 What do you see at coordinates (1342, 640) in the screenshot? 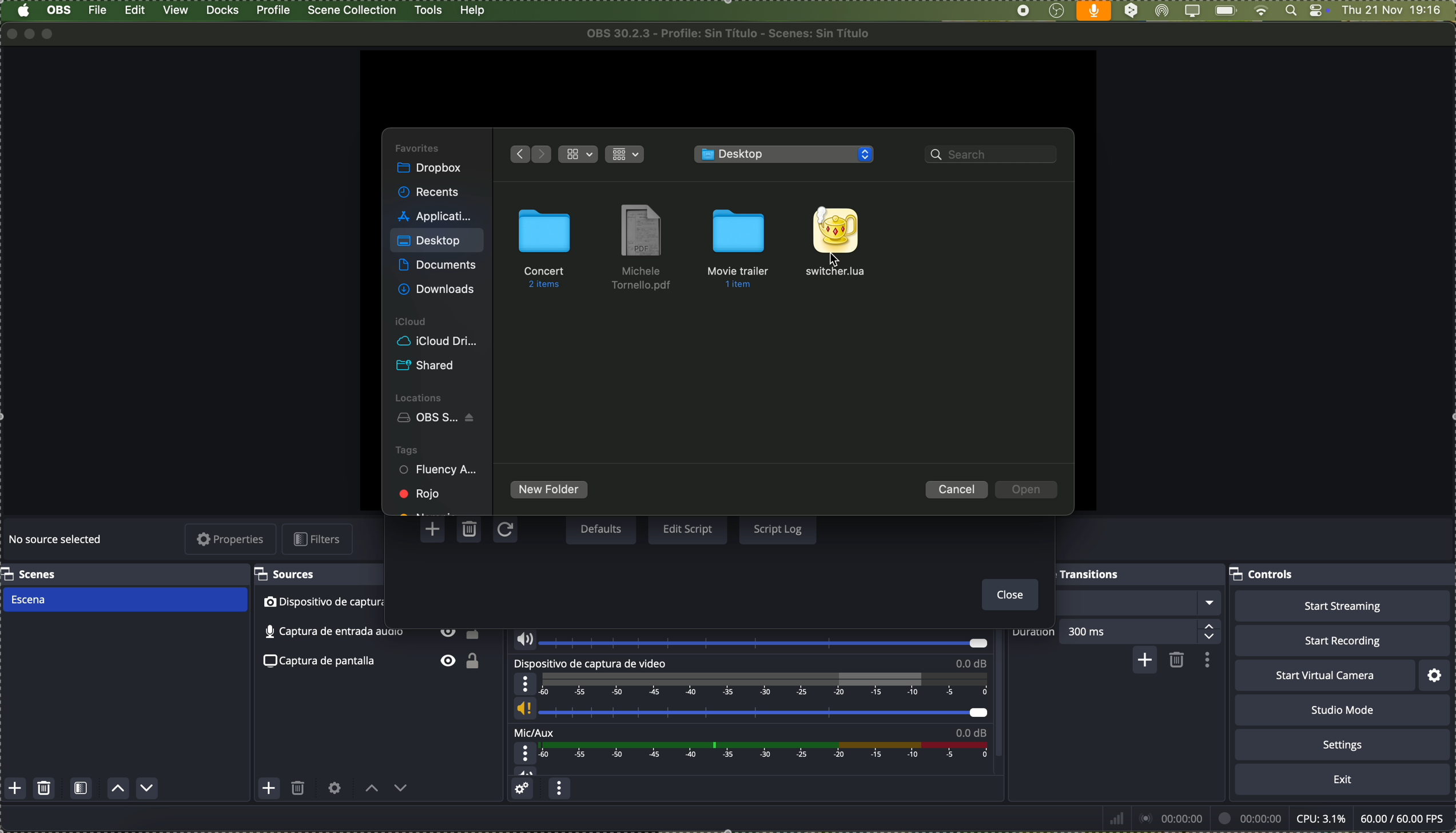
I see `start recording` at bounding box center [1342, 640].